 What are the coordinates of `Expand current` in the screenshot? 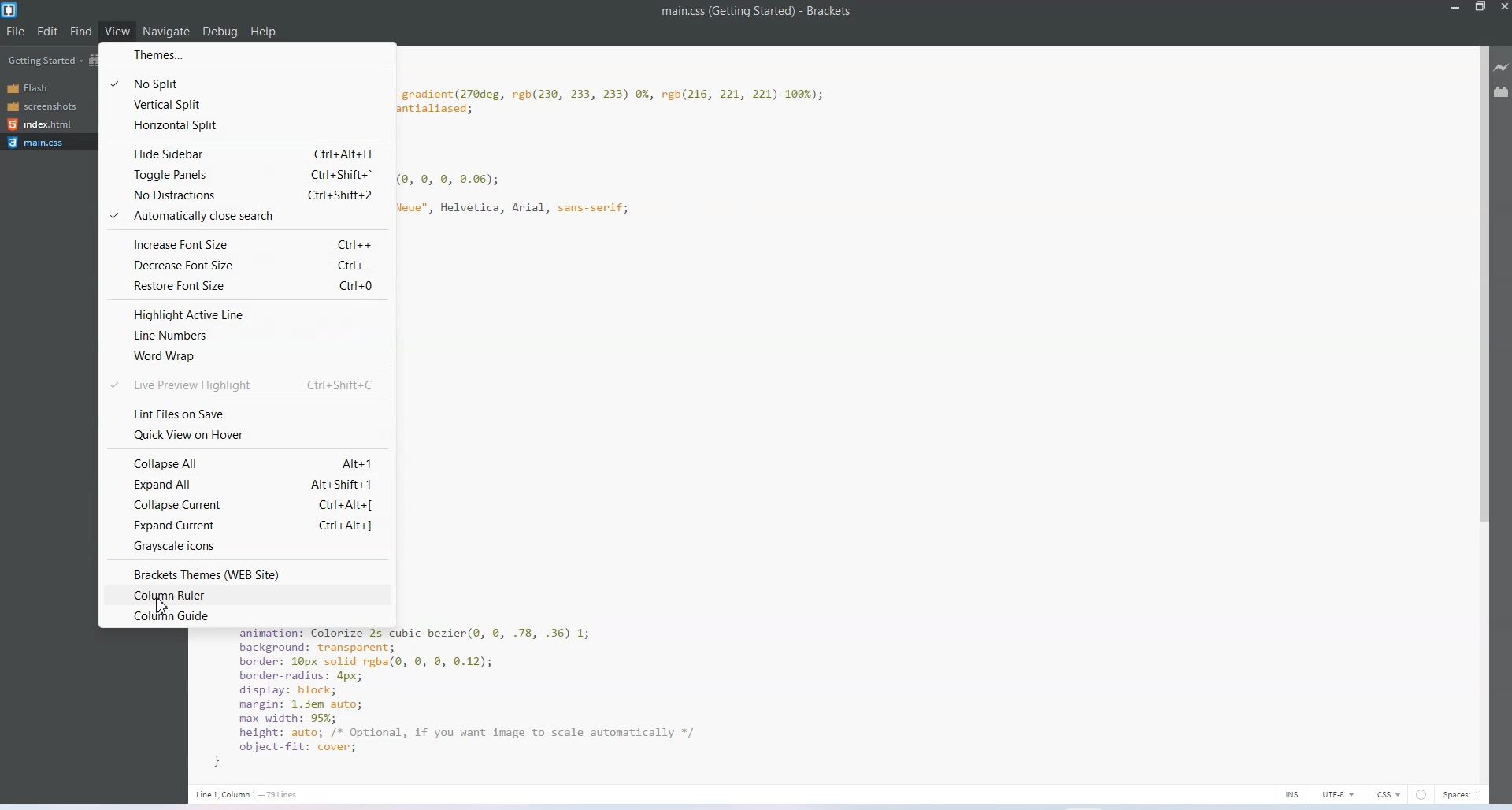 It's located at (248, 525).